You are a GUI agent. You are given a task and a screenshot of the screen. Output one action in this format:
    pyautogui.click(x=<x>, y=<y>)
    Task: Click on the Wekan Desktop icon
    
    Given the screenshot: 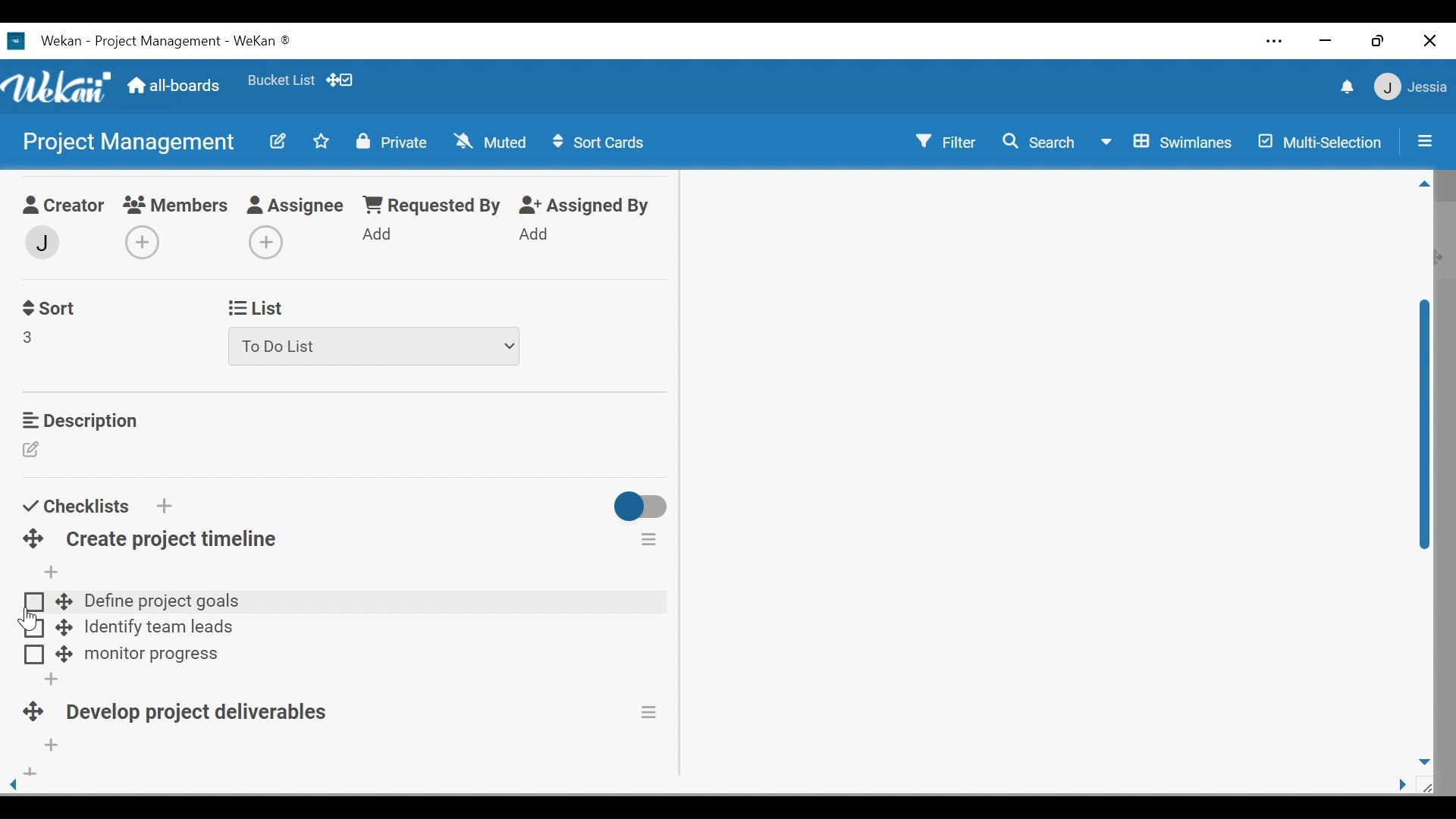 What is the action you would take?
    pyautogui.click(x=161, y=43)
    